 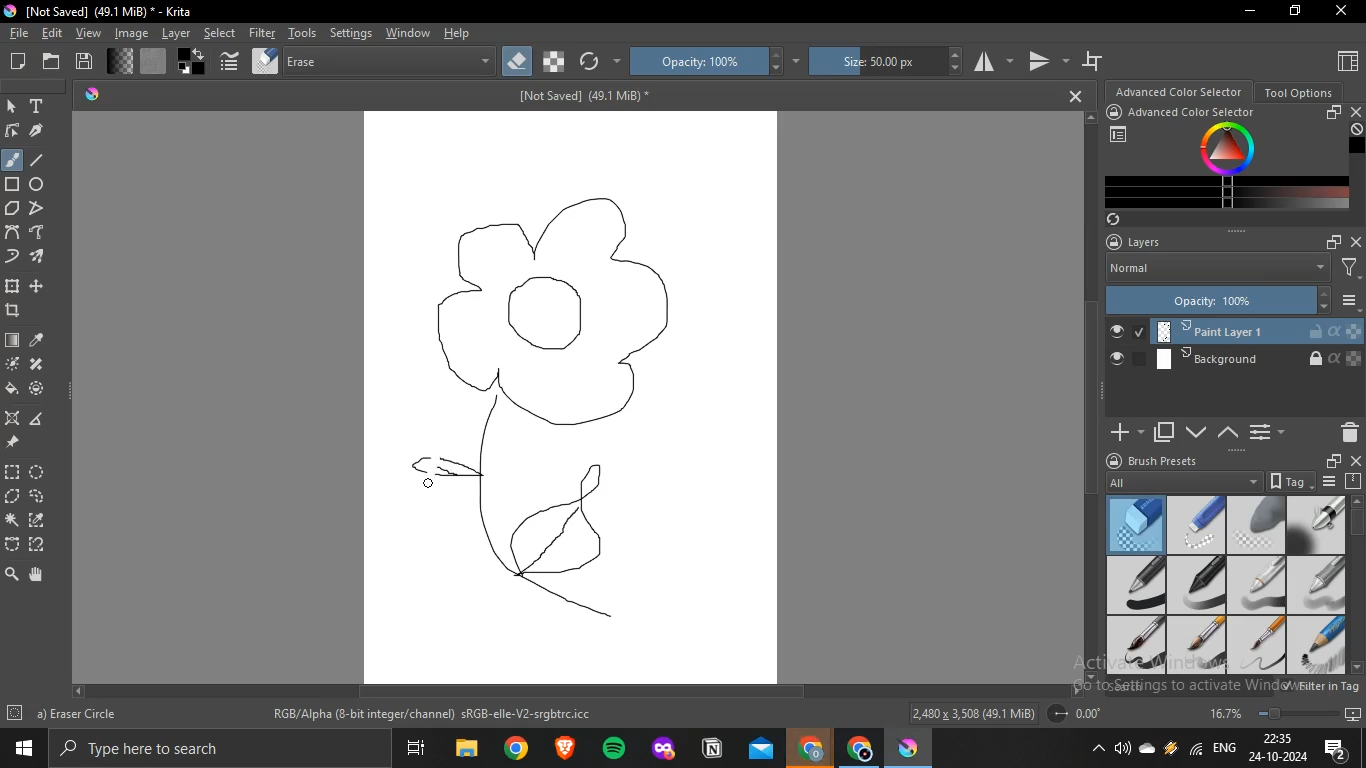 I want to click on reload original preset, so click(x=599, y=62).